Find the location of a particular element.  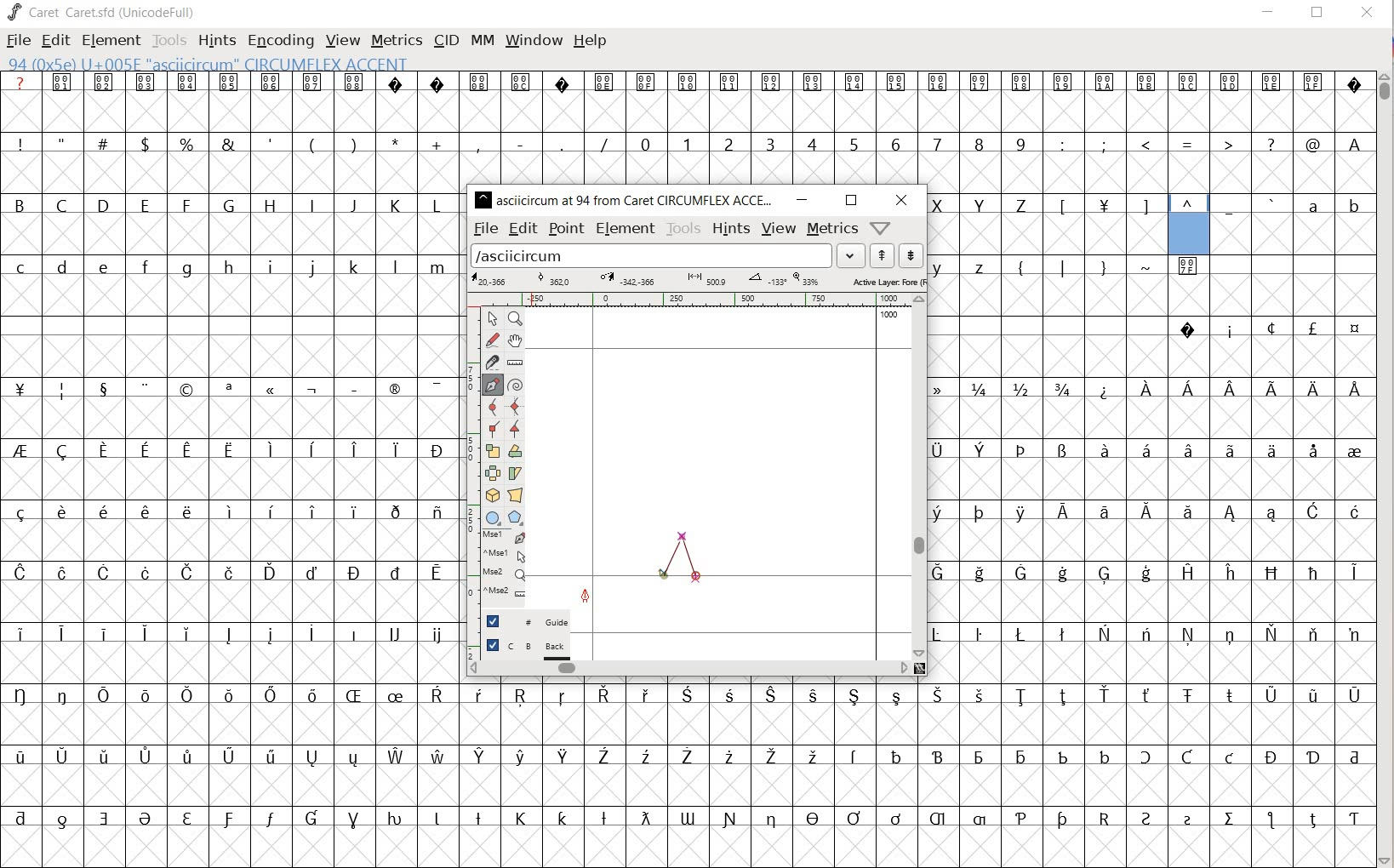

background is located at coordinates (528, 648).